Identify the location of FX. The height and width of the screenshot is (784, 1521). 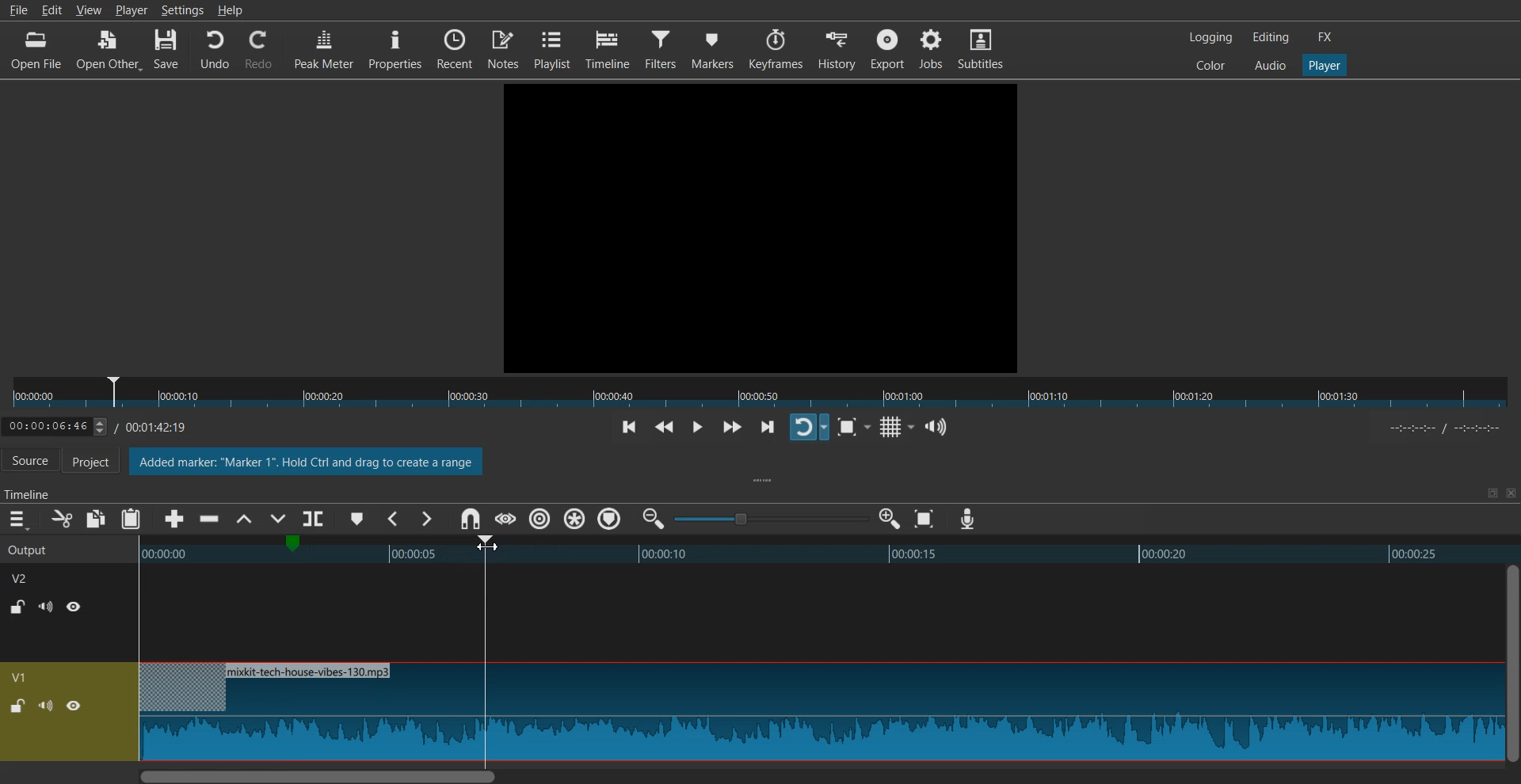
(1325, 37).